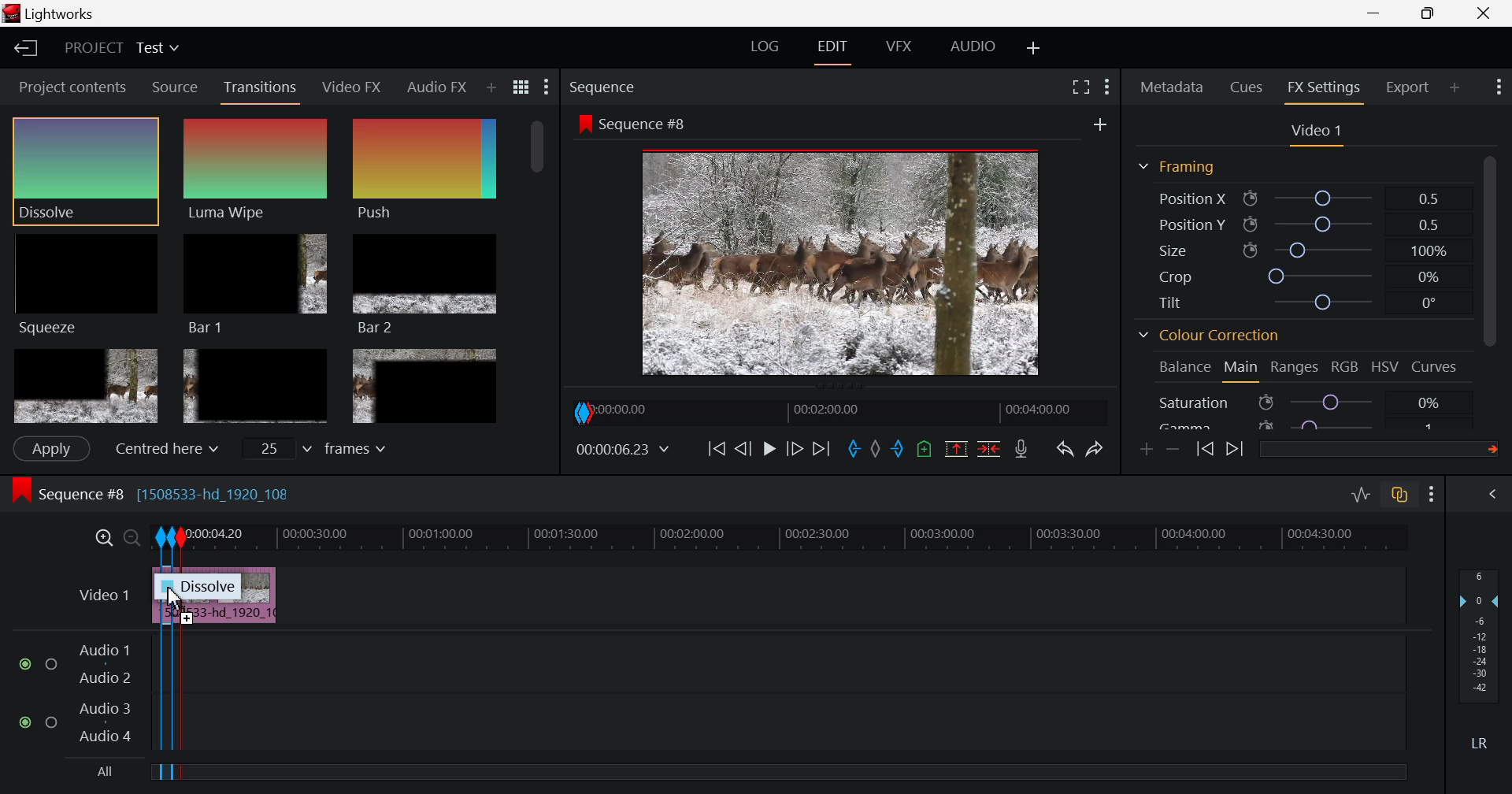 This screenshot has width=1512, height=794. What do you see at coordinates (84, 283) in the screenshot?
I see `Squeeze` at bounding box center [84, 283].